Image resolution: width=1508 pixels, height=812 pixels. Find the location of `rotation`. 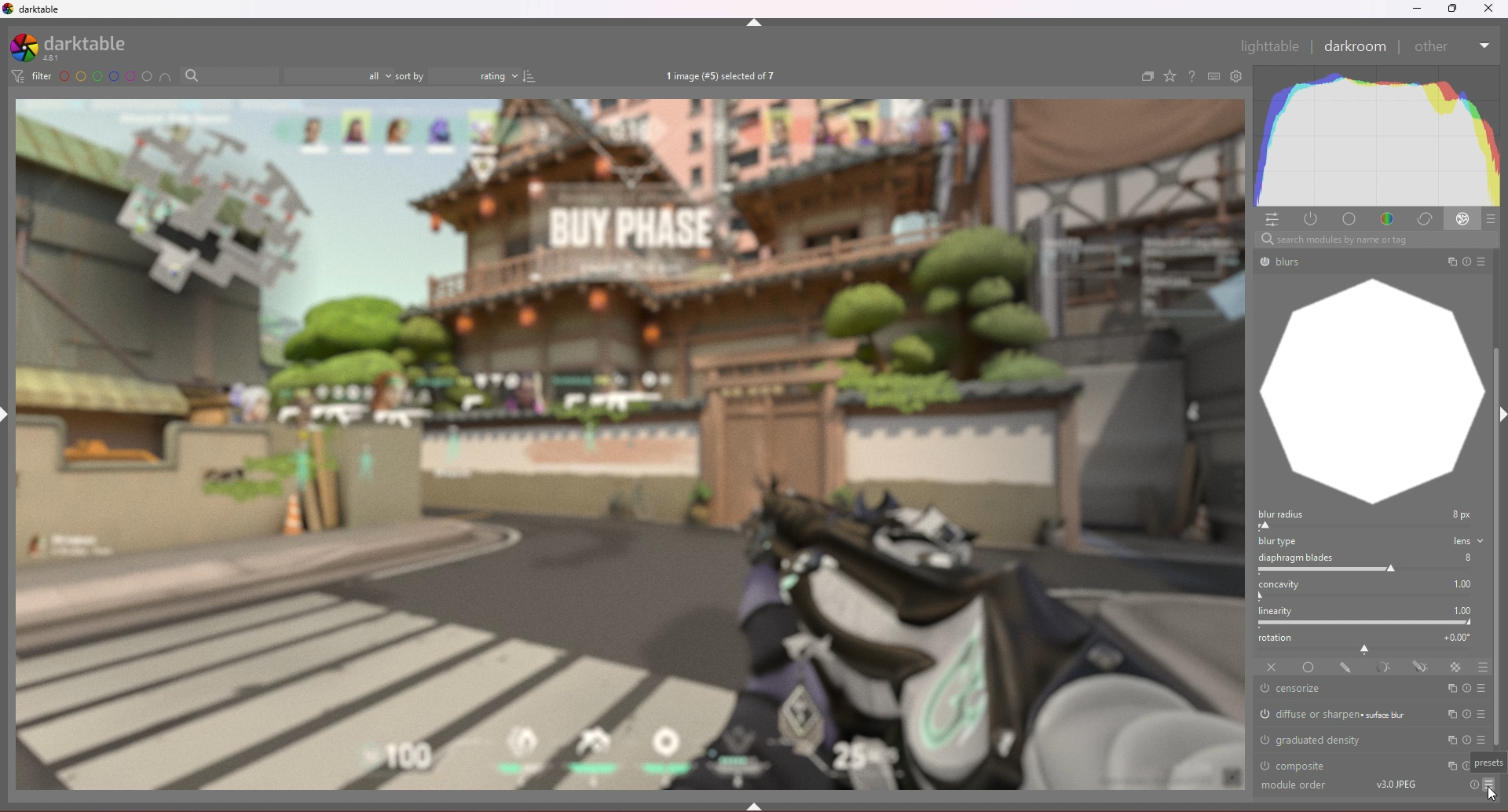

rotation is located at coordinates (1372, 642).